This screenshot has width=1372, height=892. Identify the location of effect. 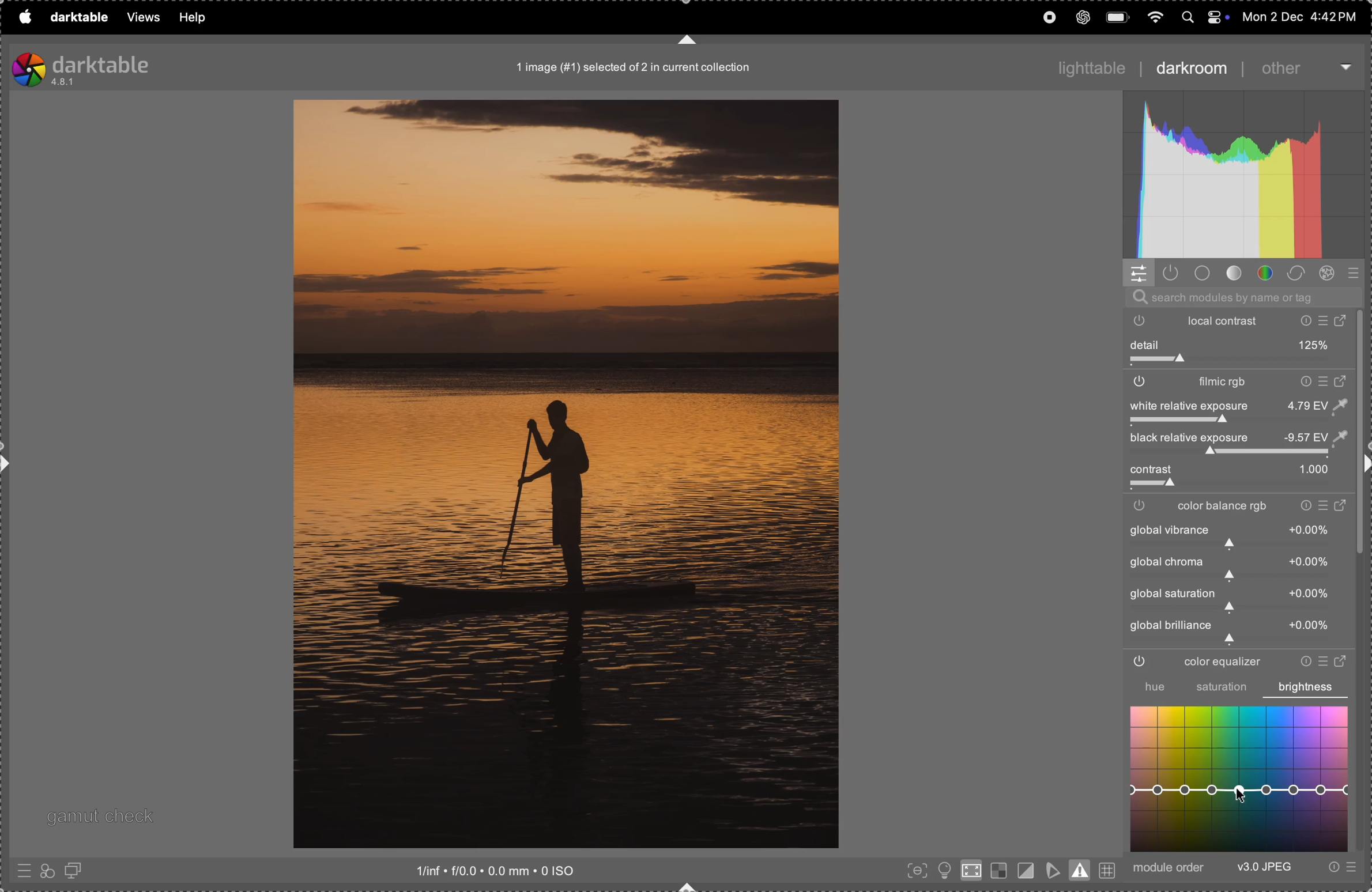
(1330, 274).